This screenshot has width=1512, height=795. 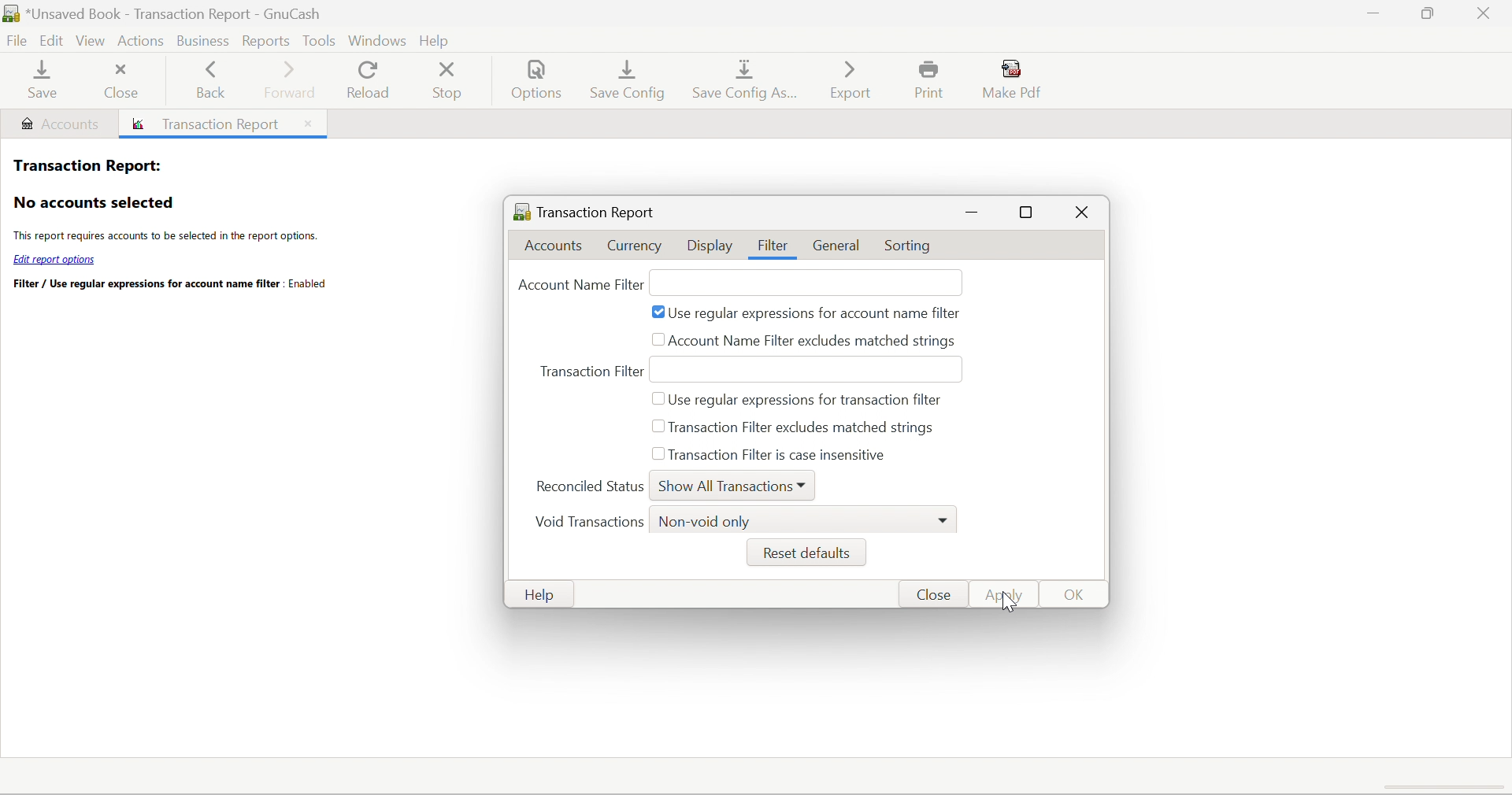 What do you see at coordinates (201, 39) in the screenshot?
I see `Business` at bounding box center [201, 39].